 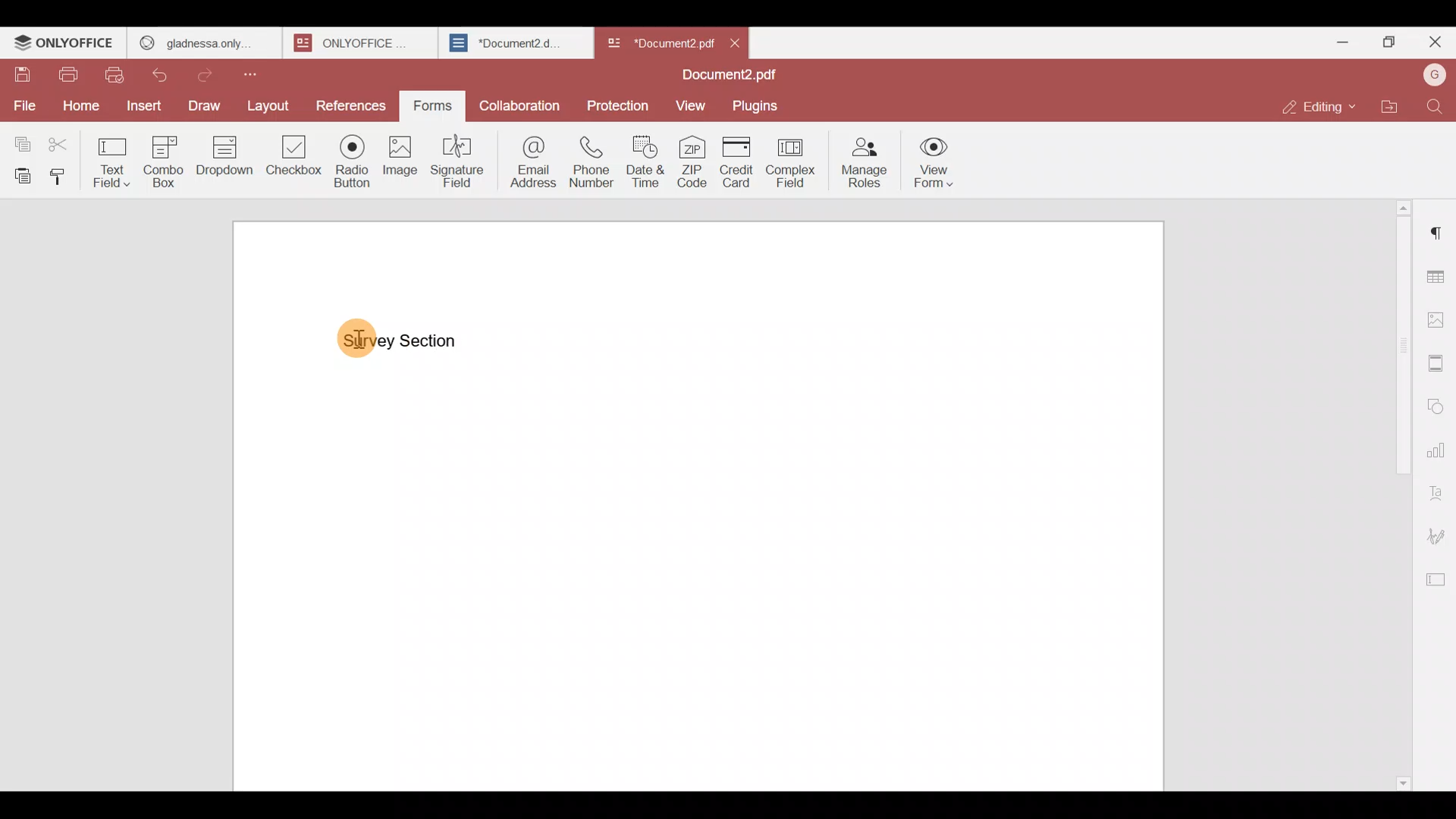 What do you see at coordinates (1434, 75) in the screenshot?
I see `Account name` at bounding box center [1434, 75].